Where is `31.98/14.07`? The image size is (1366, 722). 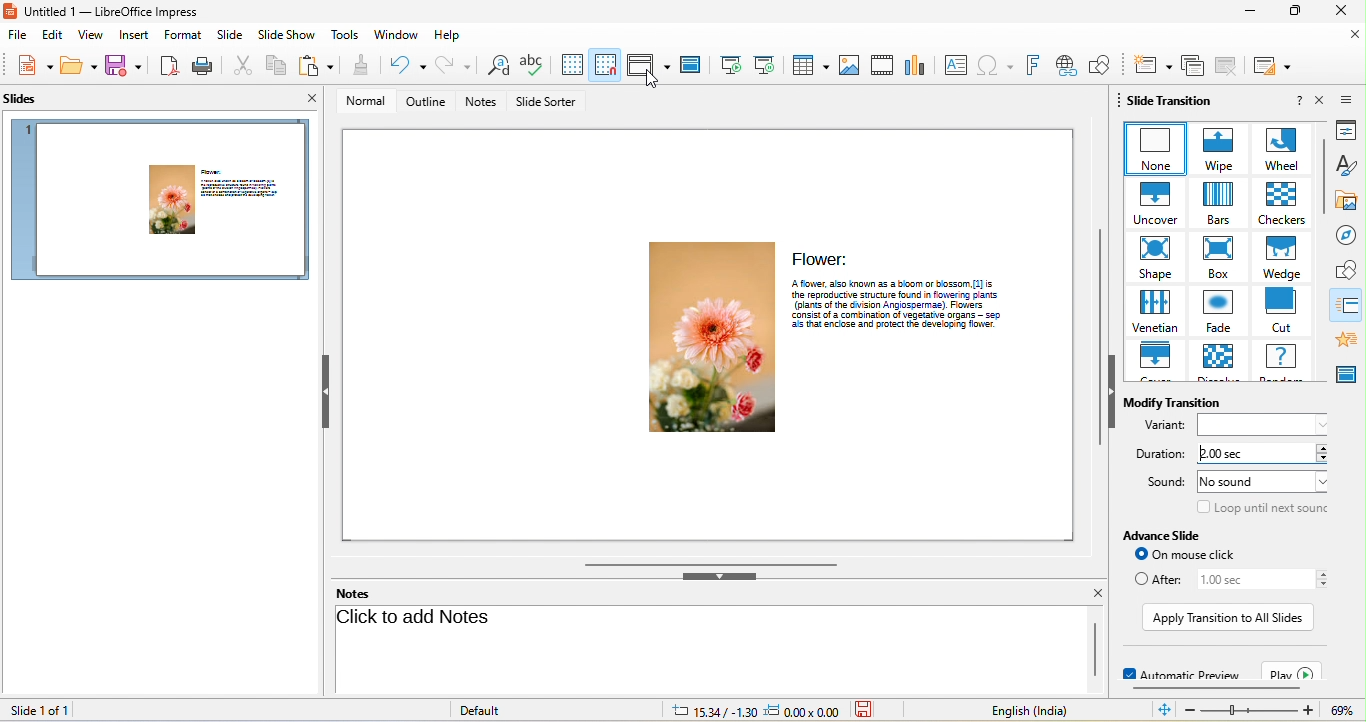 31.98/14.07 is located at coordinates (714, 711).